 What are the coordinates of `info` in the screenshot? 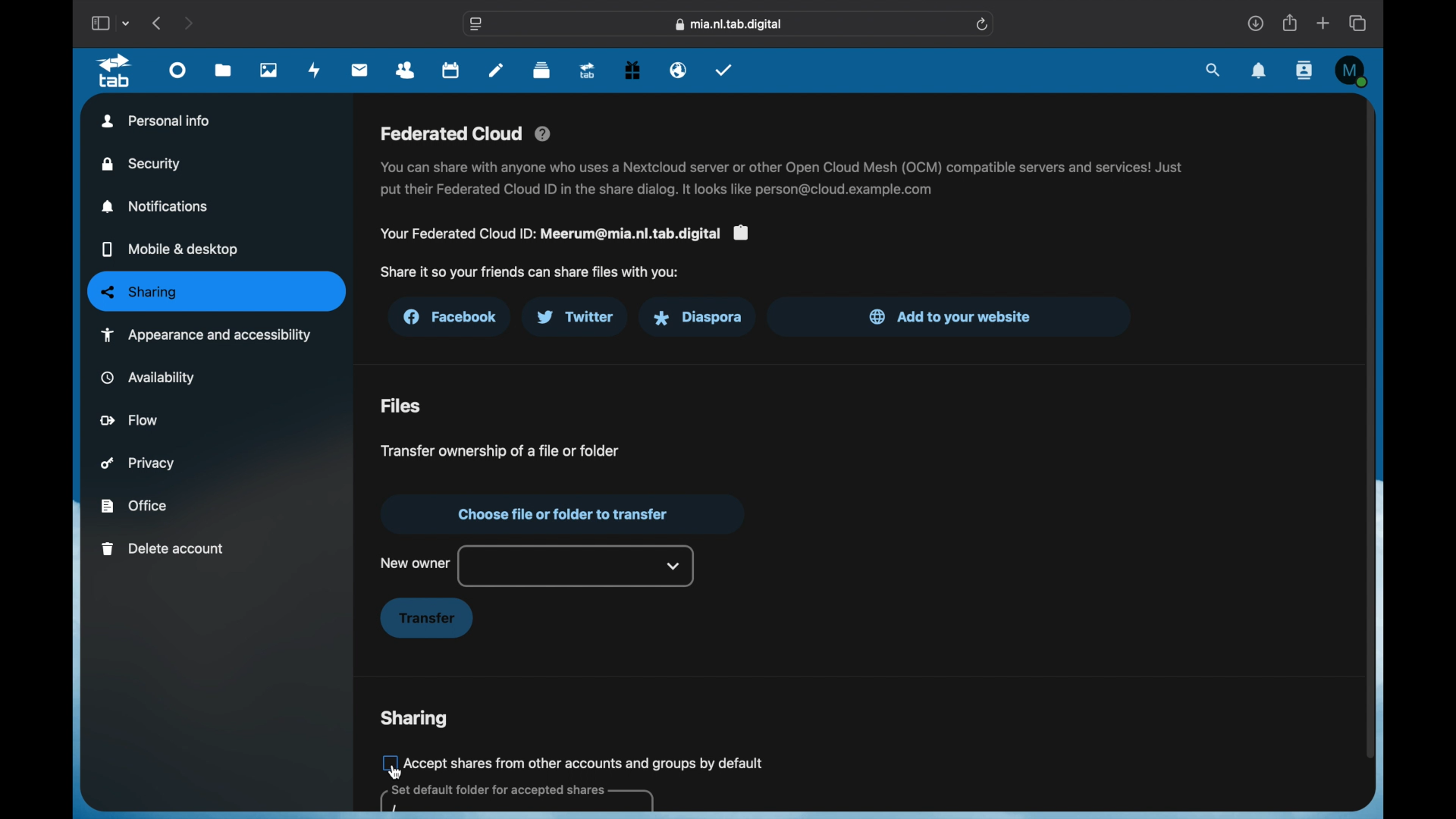 It's located at (563, 234).